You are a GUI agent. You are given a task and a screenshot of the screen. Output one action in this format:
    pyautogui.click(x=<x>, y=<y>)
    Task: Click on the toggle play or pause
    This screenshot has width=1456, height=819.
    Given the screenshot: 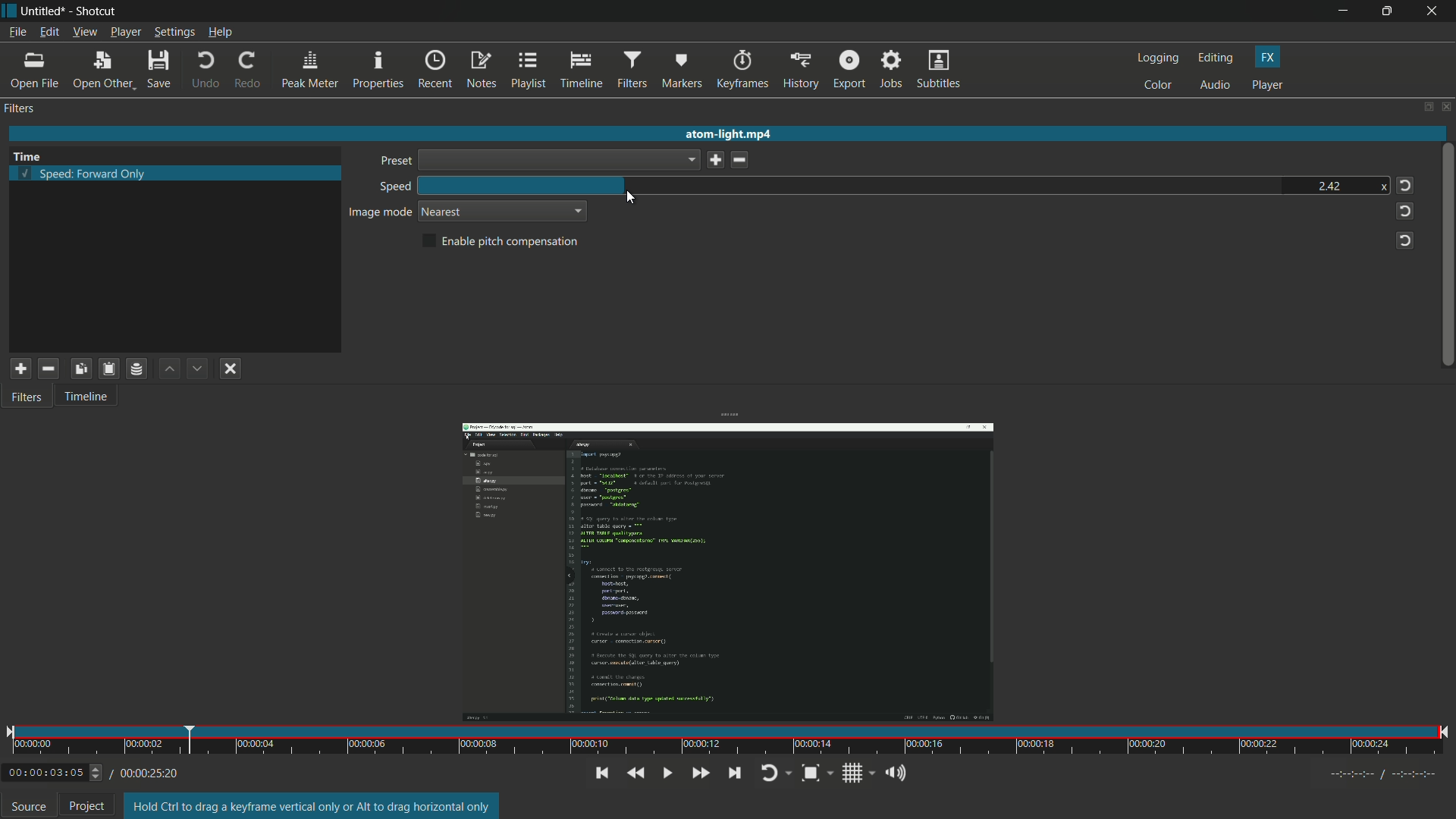 What is the action you would take?
    pyautogui.click(x=668, y=773)
    